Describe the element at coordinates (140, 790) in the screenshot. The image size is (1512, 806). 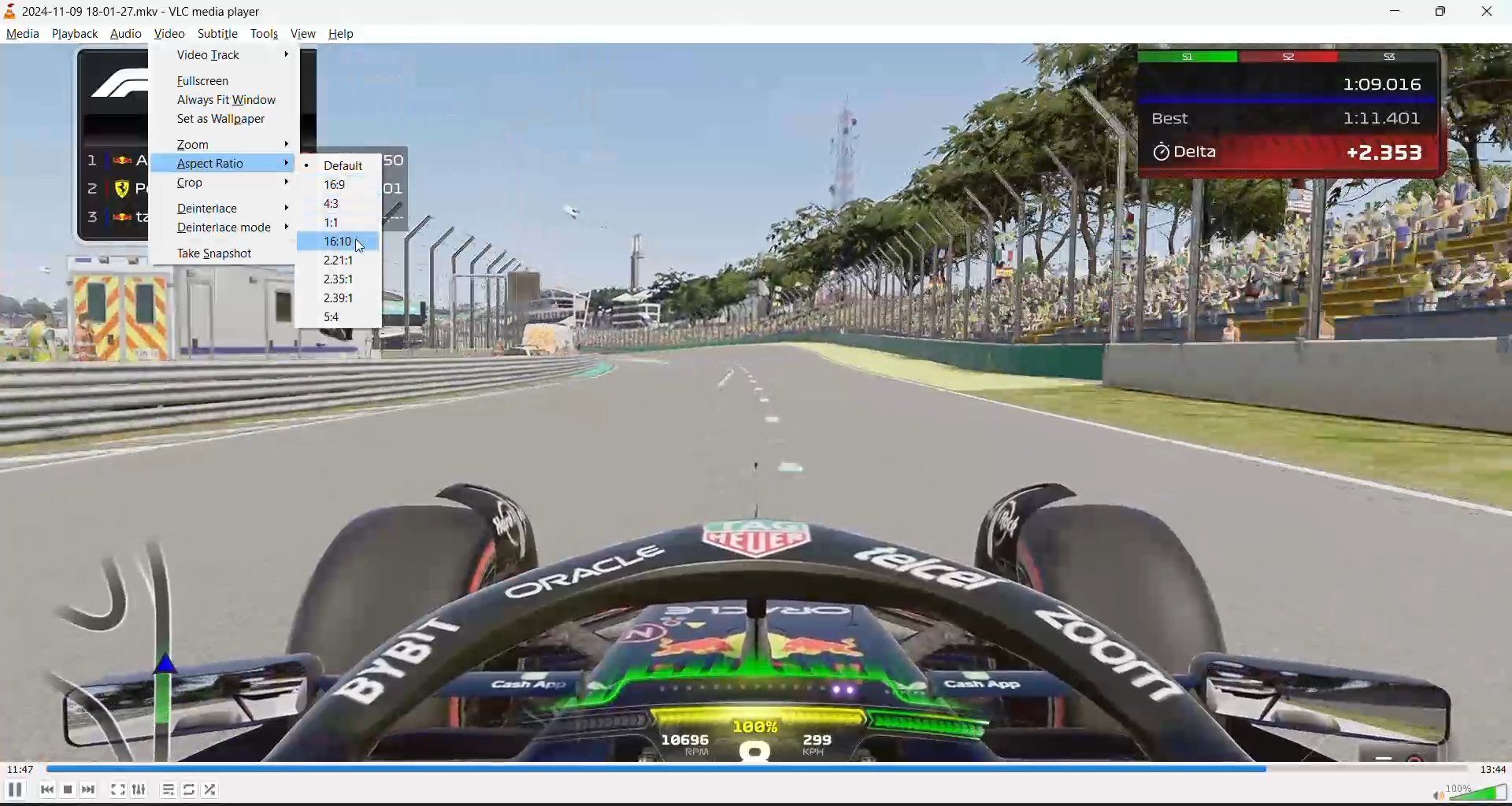
I see `settings` at that location.